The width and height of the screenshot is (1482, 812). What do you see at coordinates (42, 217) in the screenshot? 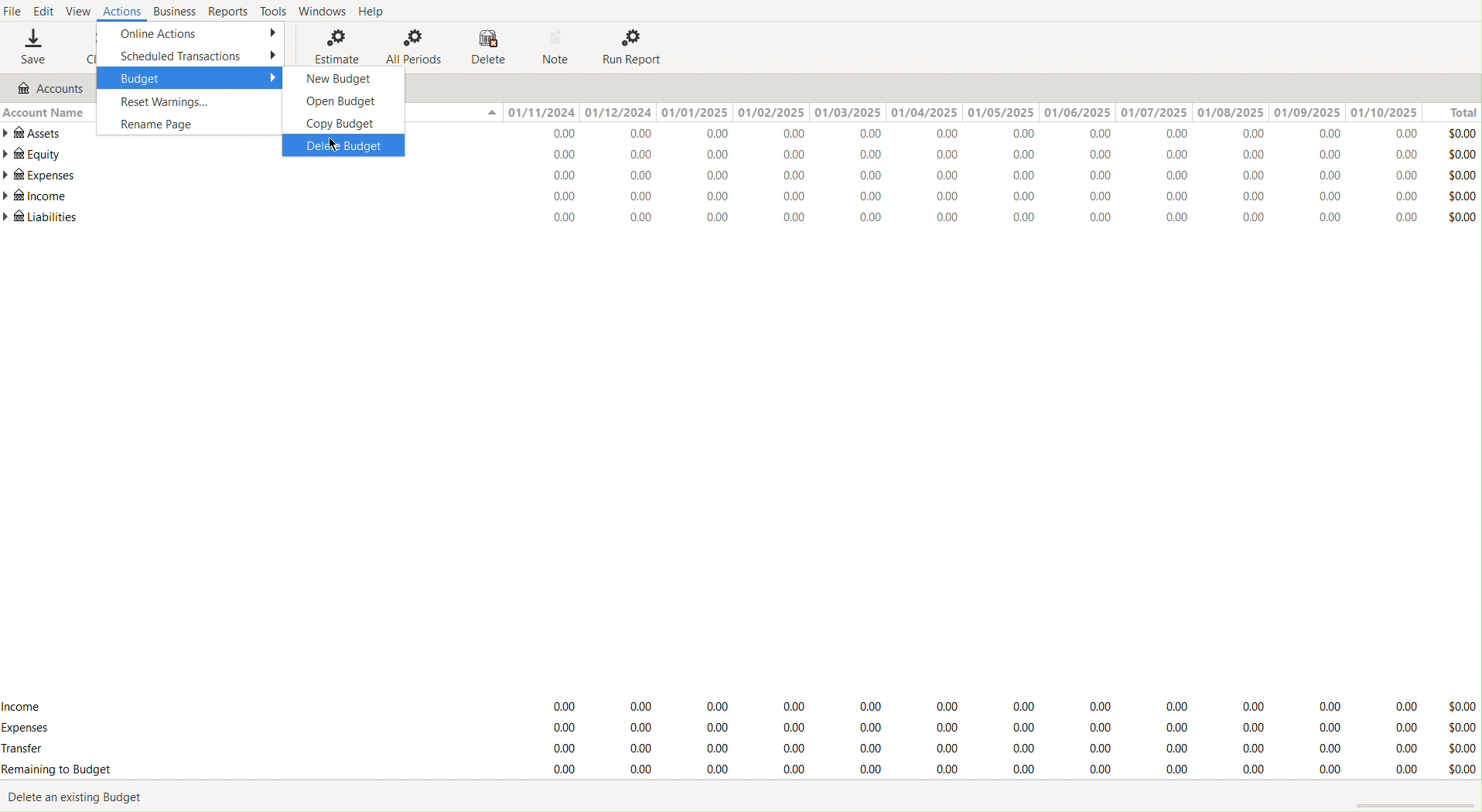
I see `Liabilities` at bounding box center [42, 217].